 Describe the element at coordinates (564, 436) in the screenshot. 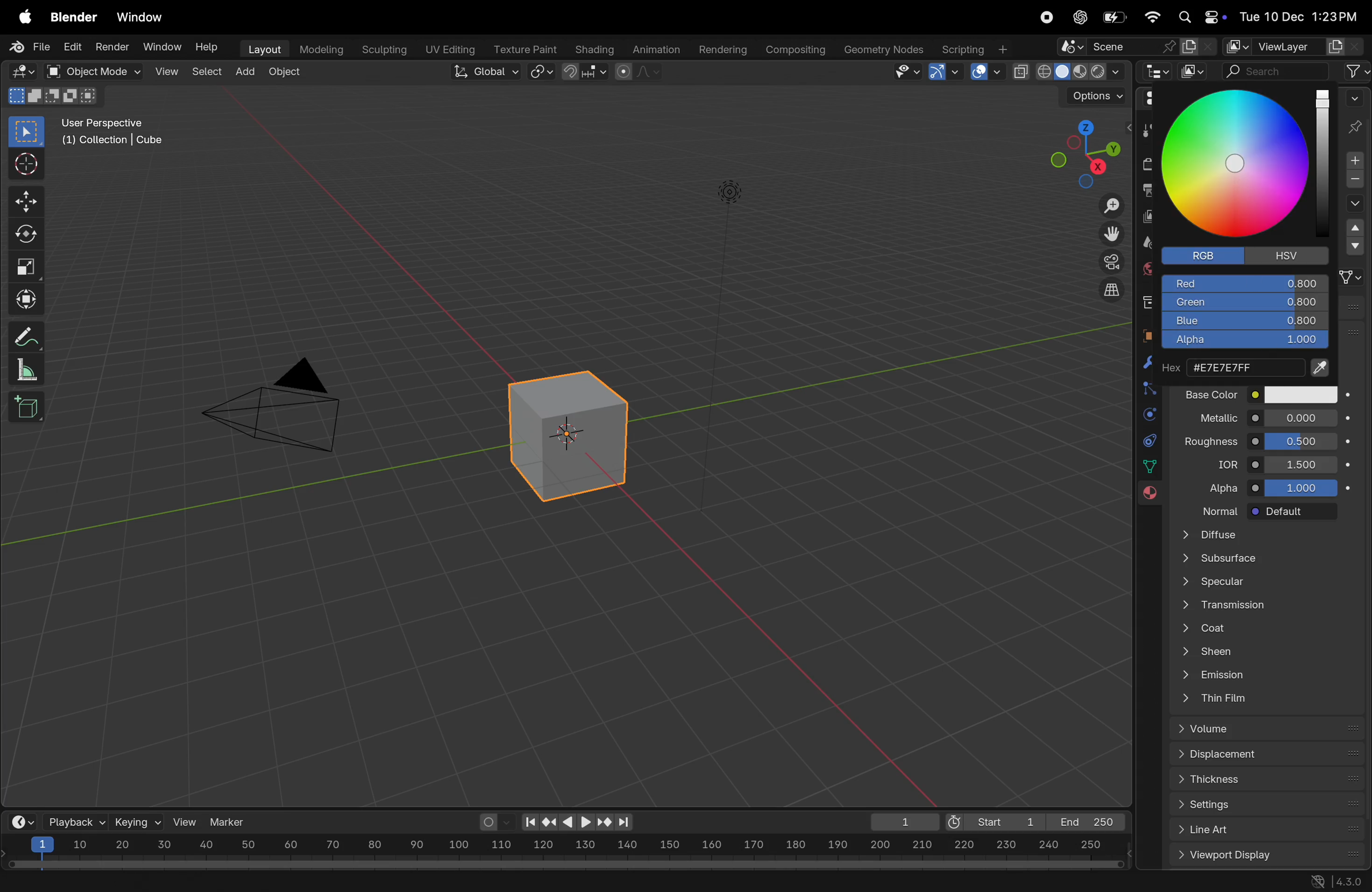

I see `3D cube ` at that location.